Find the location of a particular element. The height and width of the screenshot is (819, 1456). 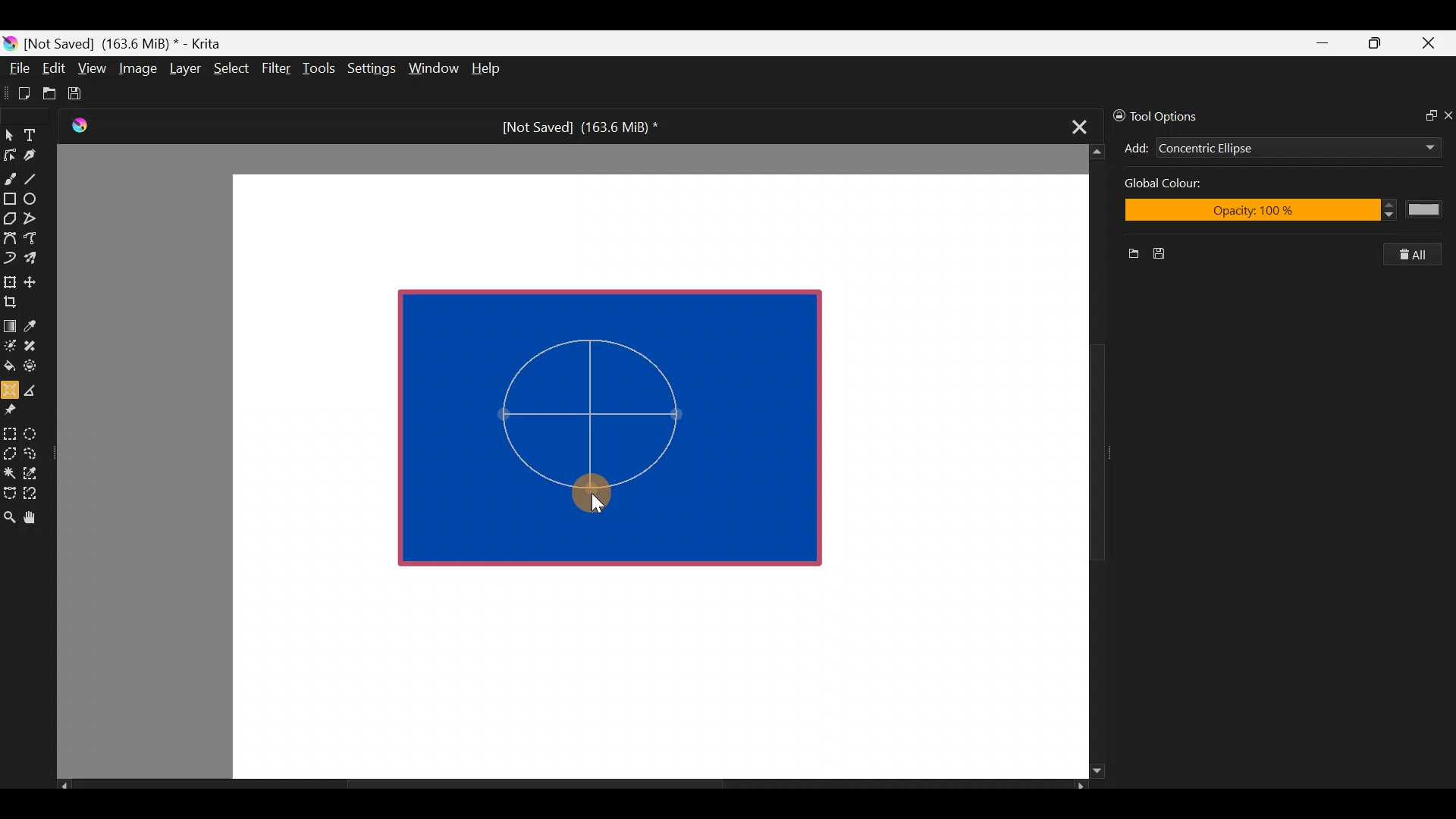

Edit is located at coordinates (53, 71).